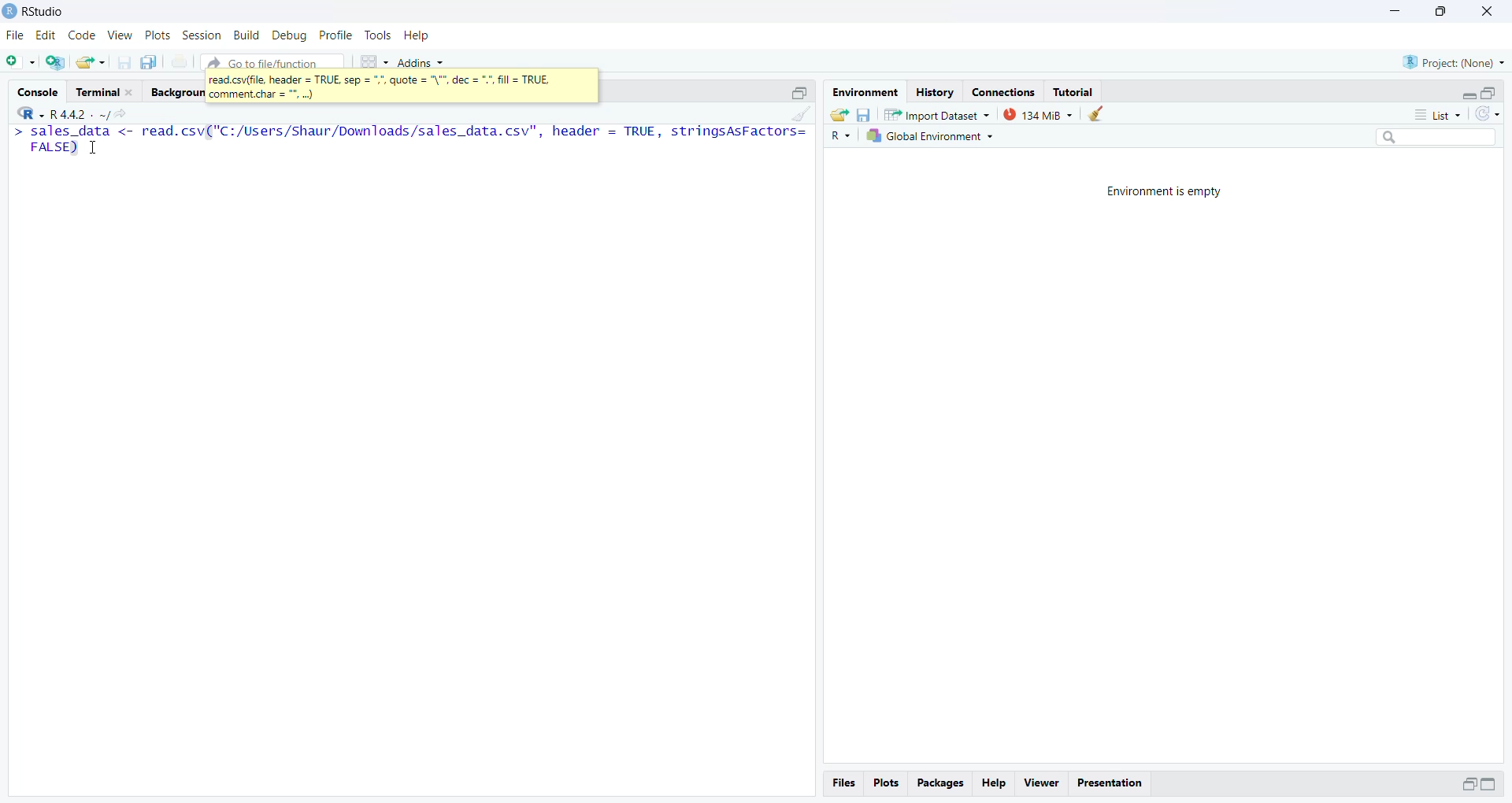  What do you see at coordinates (417, 35) in the screenshot?
I see `Help` at bounding box center [417, 35].